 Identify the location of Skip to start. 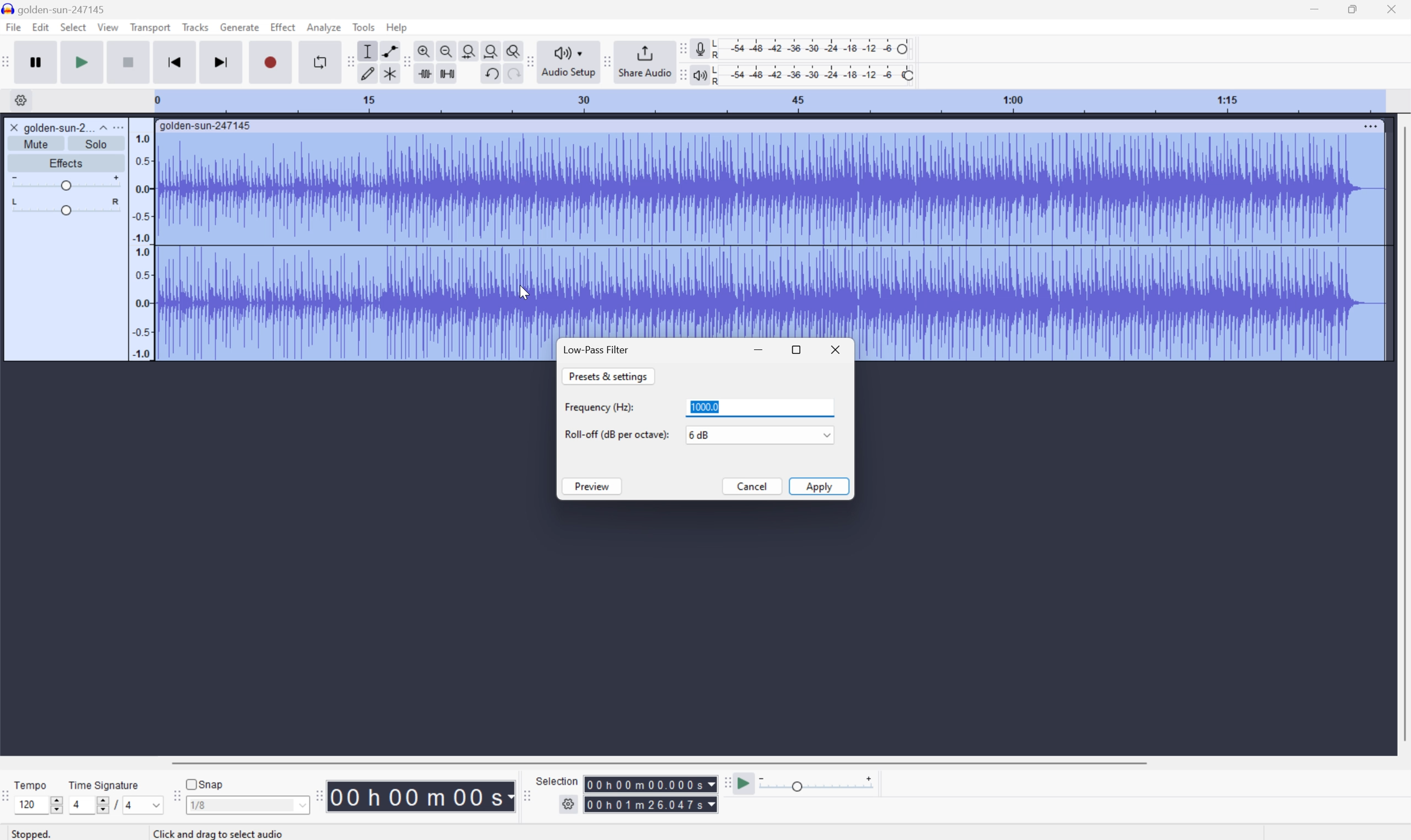
(175, 61).